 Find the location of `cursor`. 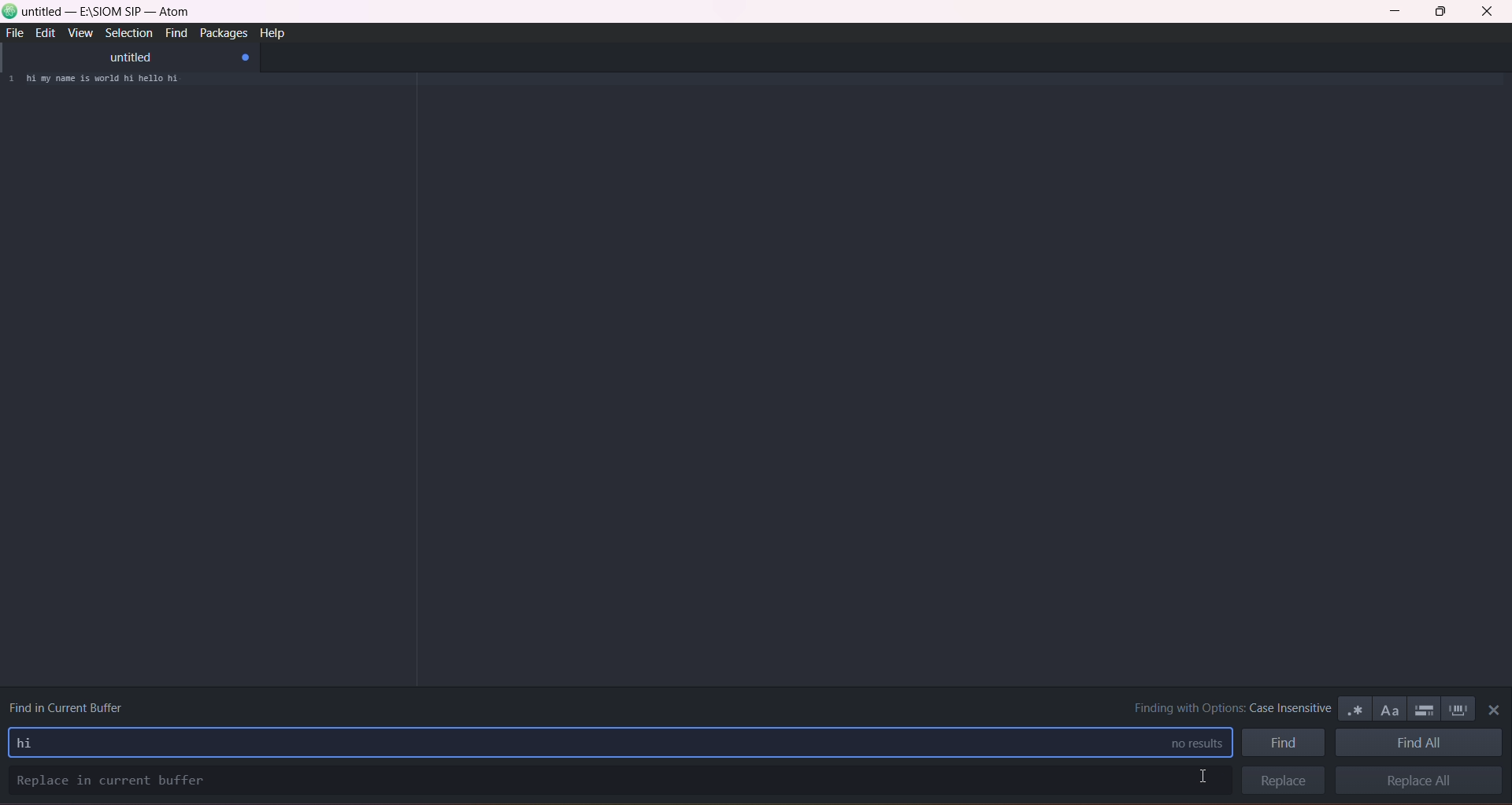

cursor is located at coordinates (1204, 776).